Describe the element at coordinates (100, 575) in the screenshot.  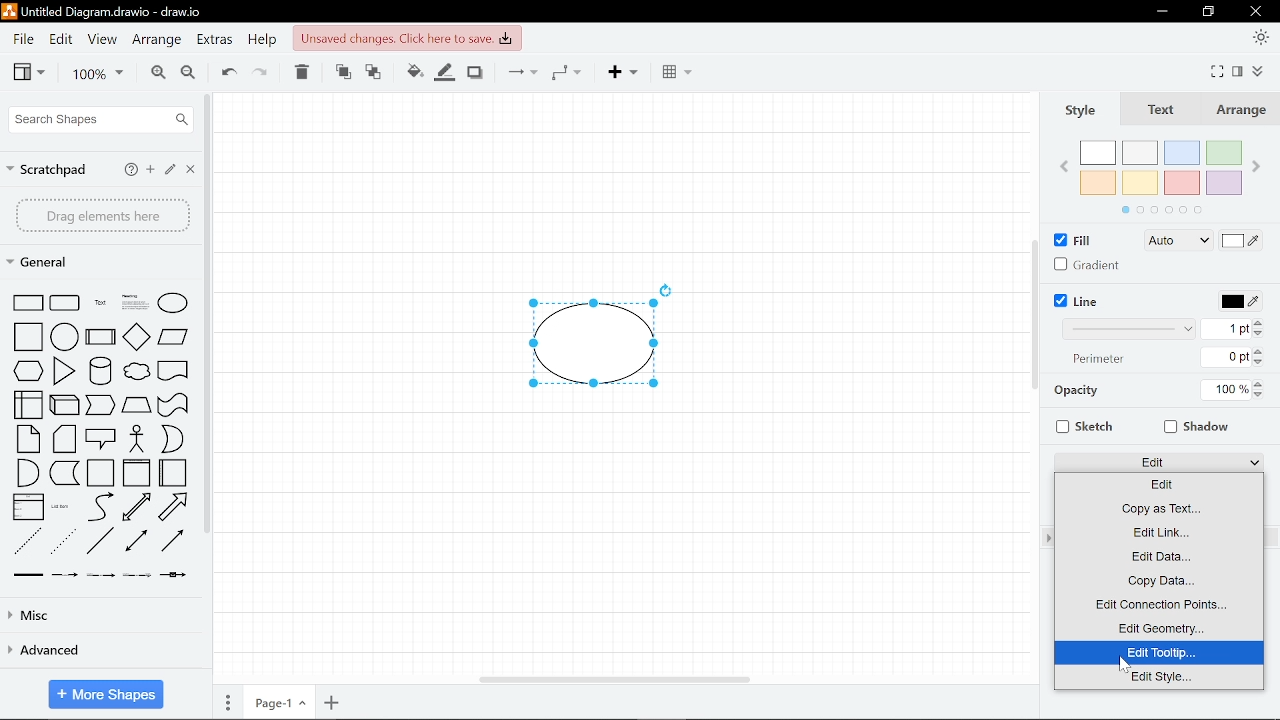
I see `connector with 2 labels` at that location.